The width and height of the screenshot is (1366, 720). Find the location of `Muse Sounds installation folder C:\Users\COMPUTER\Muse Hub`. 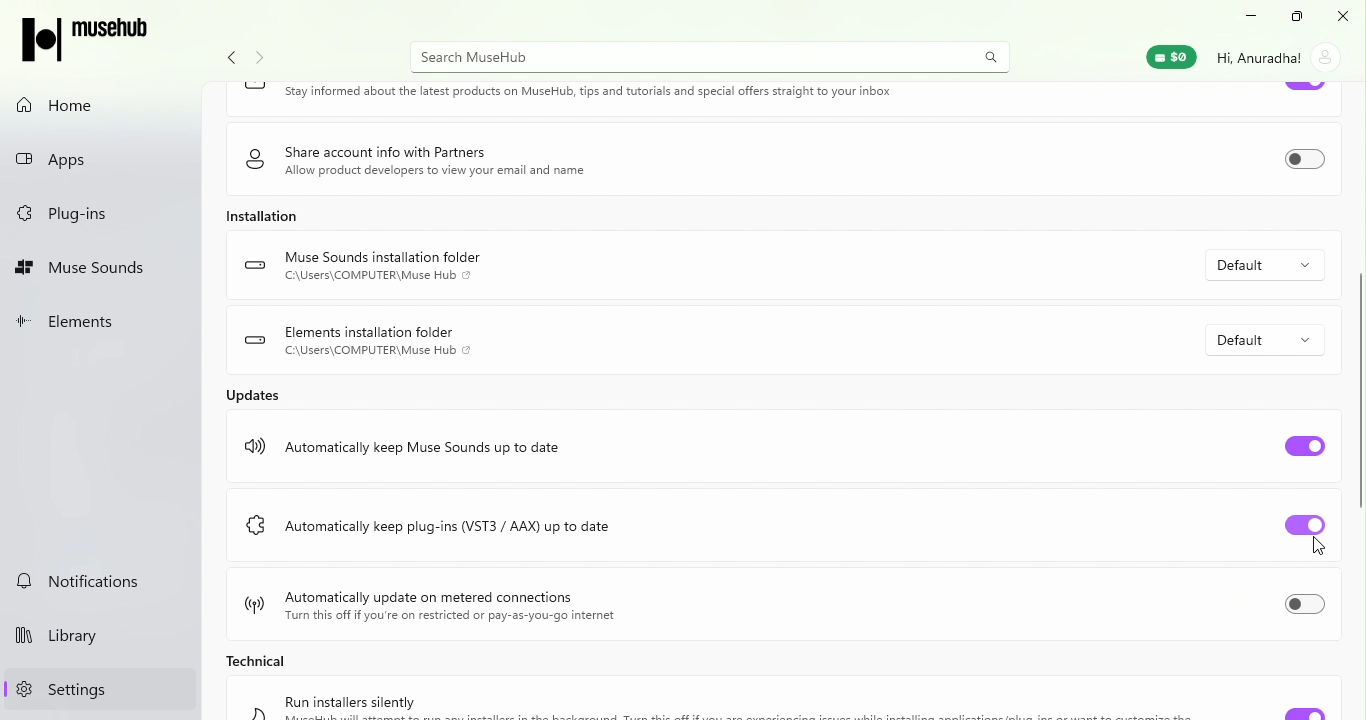

Muse Sounds installation folder C:\Users\COMPUTER\Muse Hub is located at coordinates (390, 267).